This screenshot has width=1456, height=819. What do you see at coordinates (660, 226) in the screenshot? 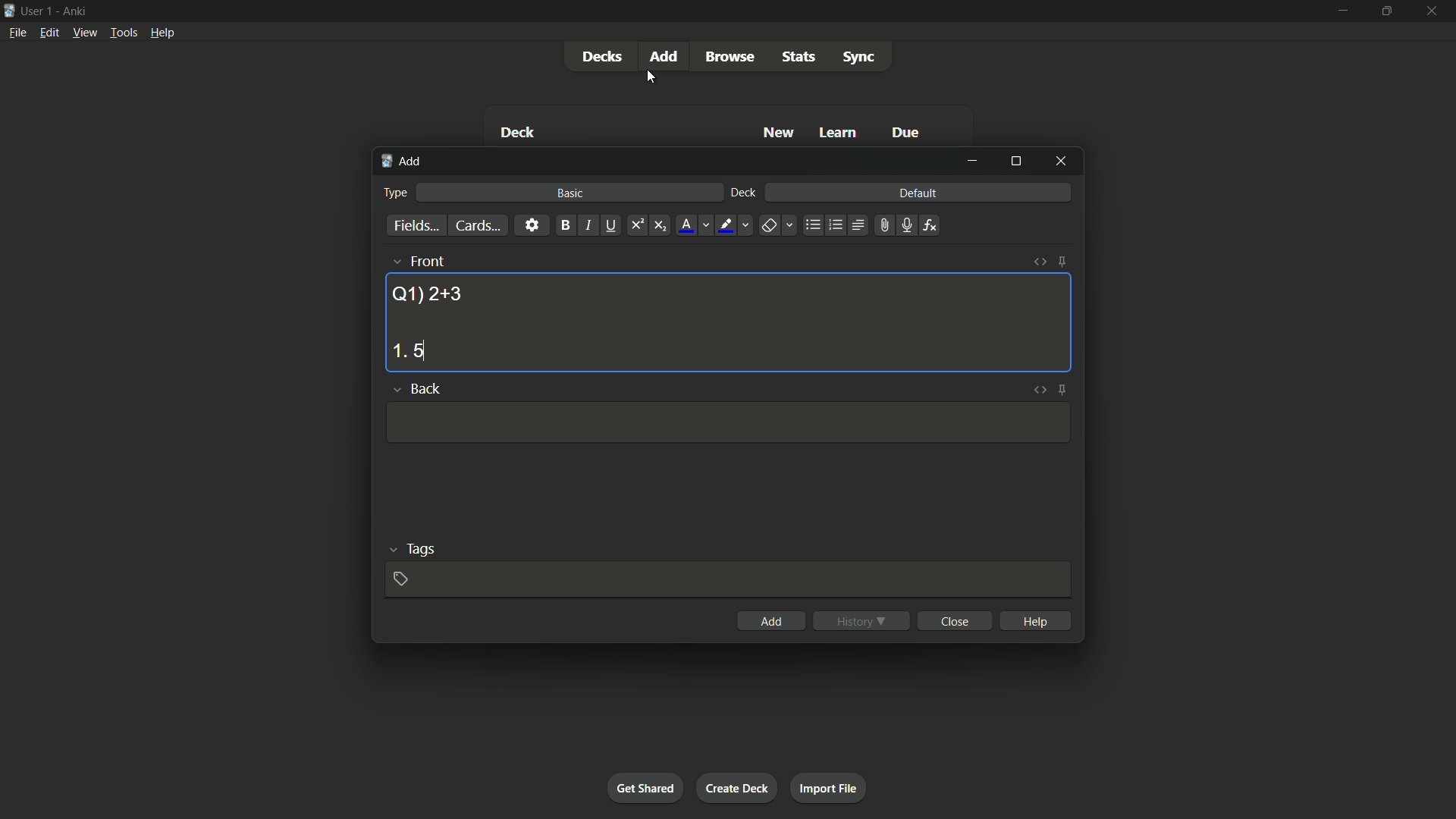
I see `subscript` at bounding box center [660, 226].